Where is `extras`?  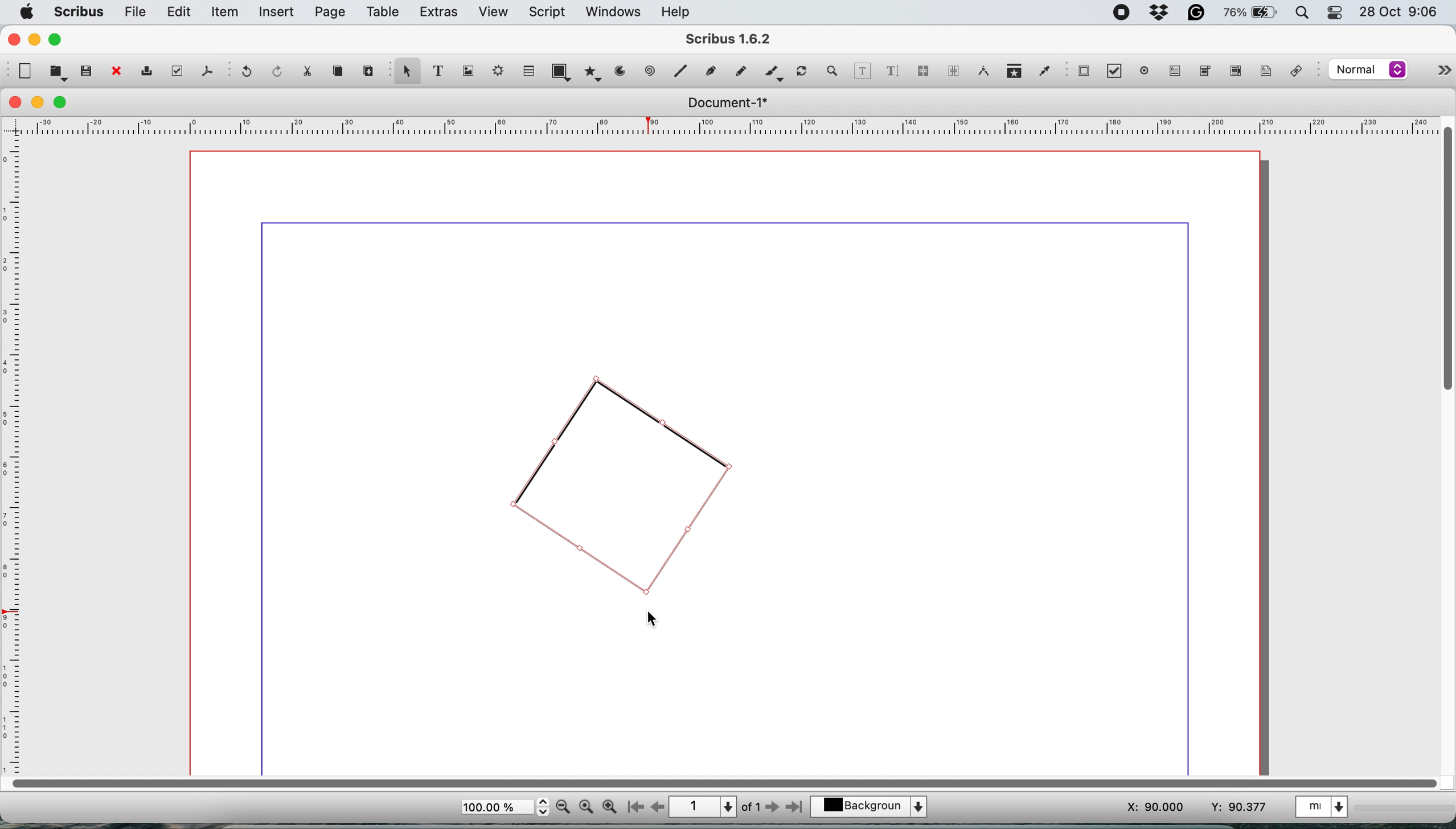
extras is located at coordinates (439, 13).